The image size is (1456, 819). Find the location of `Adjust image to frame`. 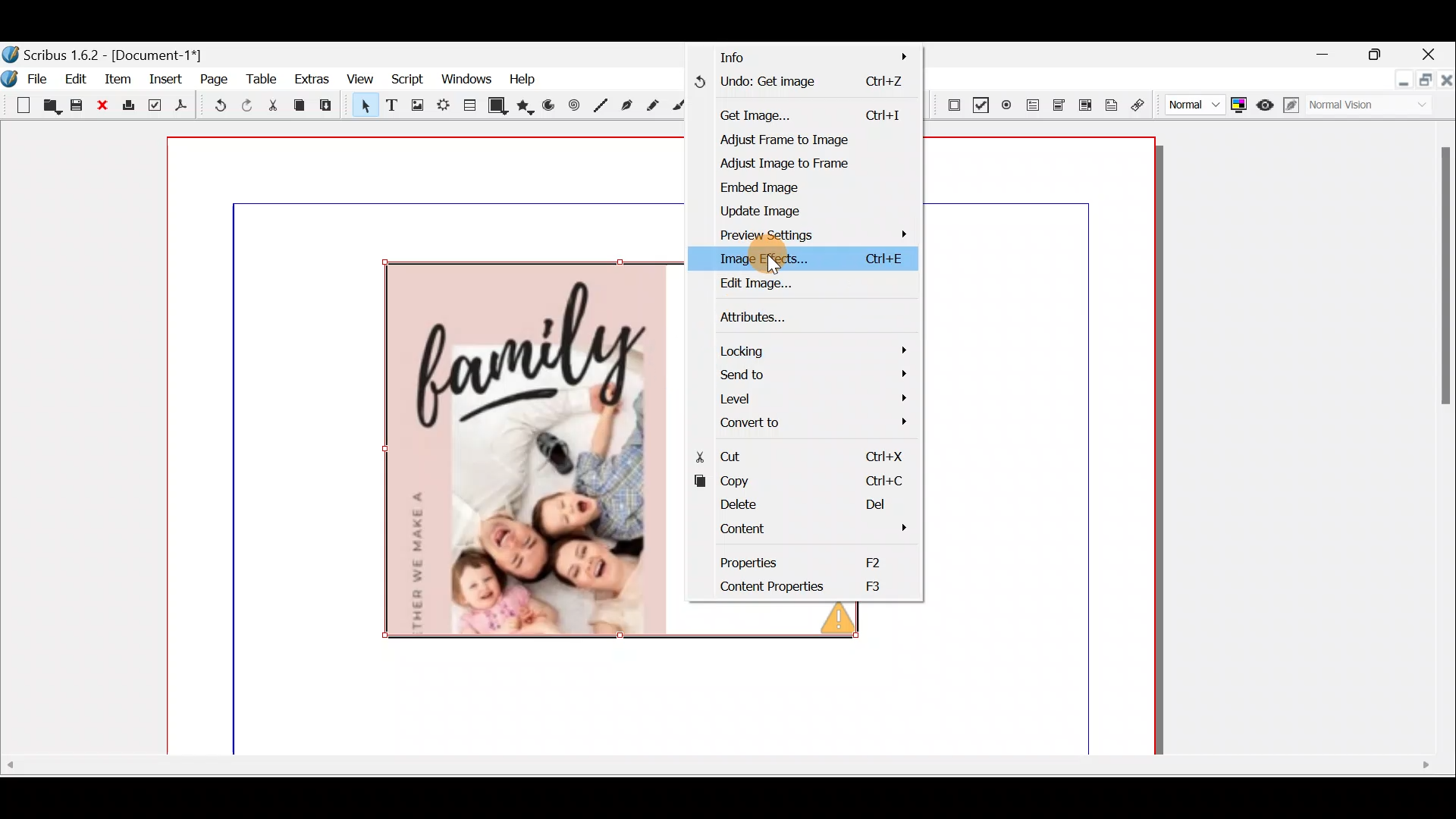

Adjust image to frame is located at coordinates (811, 166).